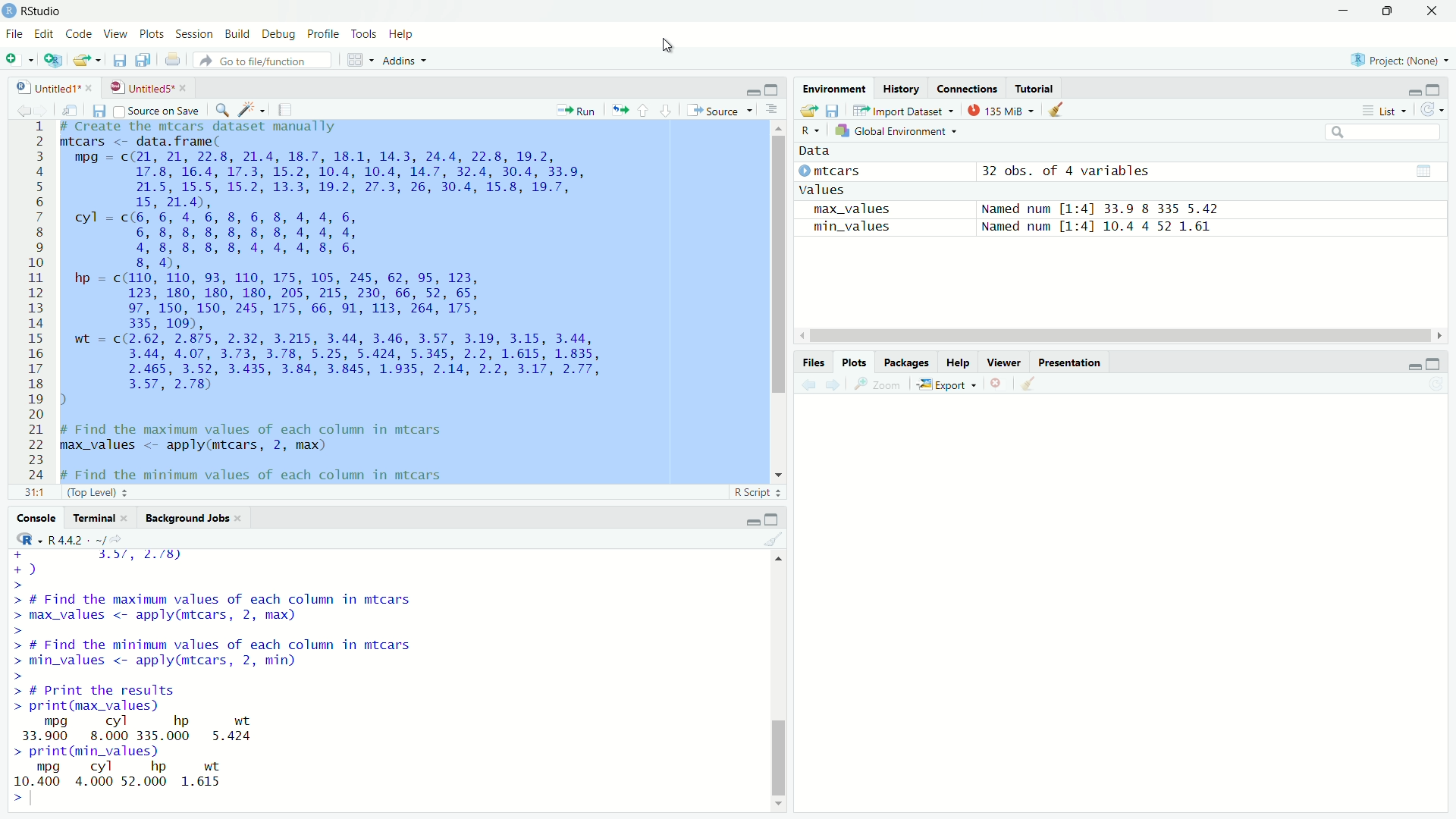 This screenshot has width=1456, height=819. Describe the element at coordinates (400, 60) in the screenshot. I see `+ Addins +` at that location.